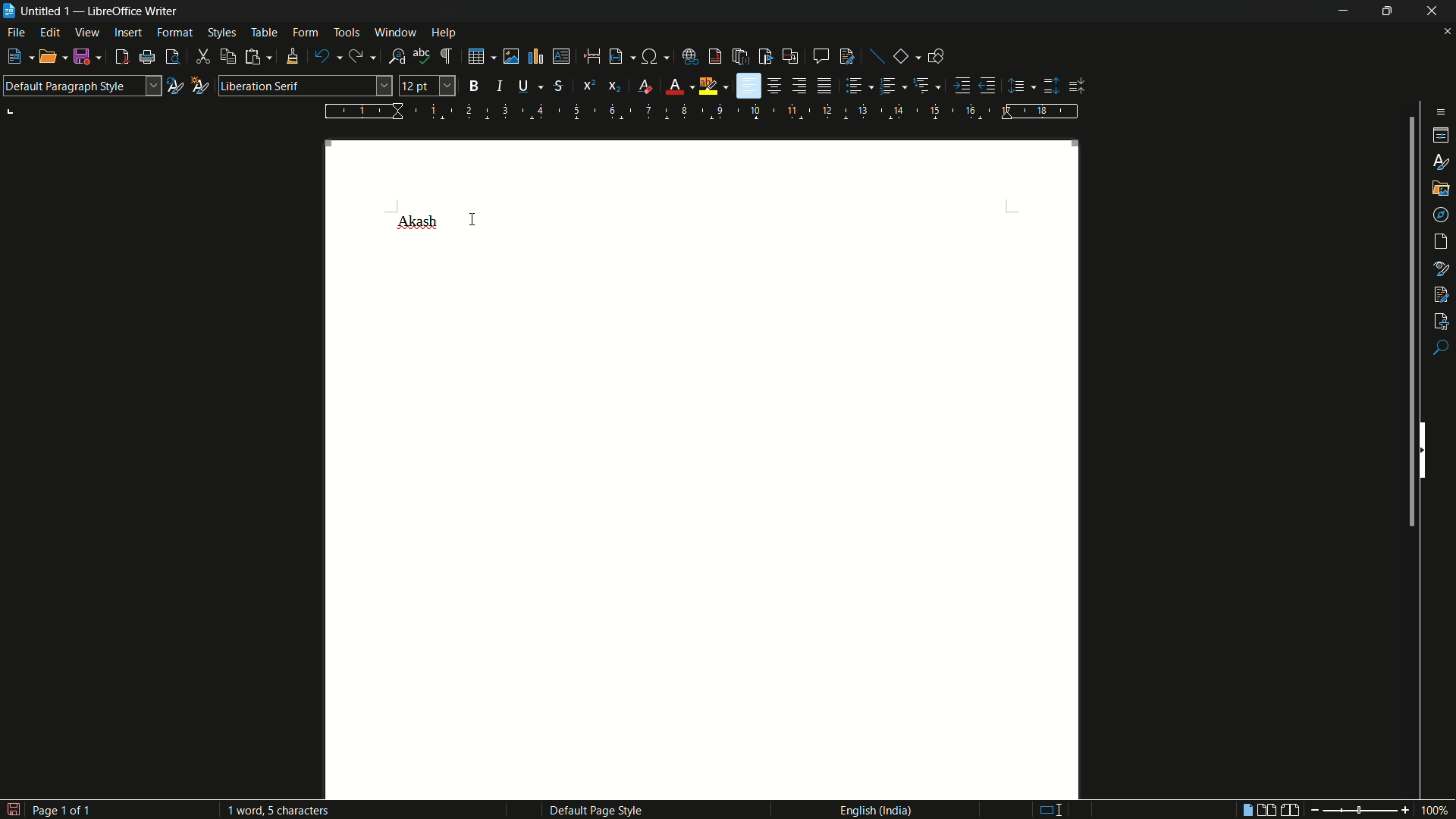 The width and height of the screenshot is (1456, 819). I want to click on insert footnote, so click(716, 56).